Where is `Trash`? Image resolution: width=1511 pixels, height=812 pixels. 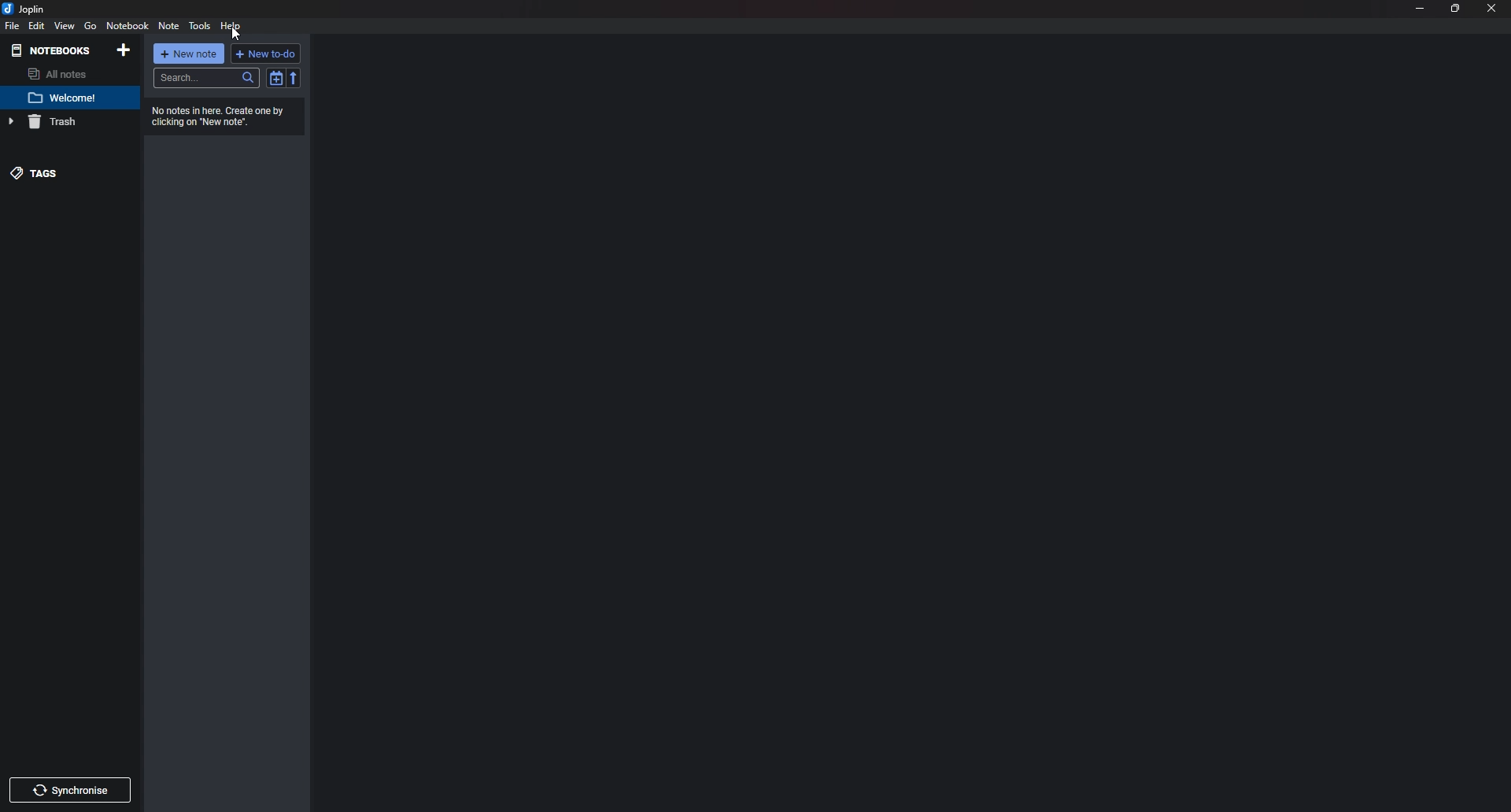
Trash is located at coordinates (63, 122).